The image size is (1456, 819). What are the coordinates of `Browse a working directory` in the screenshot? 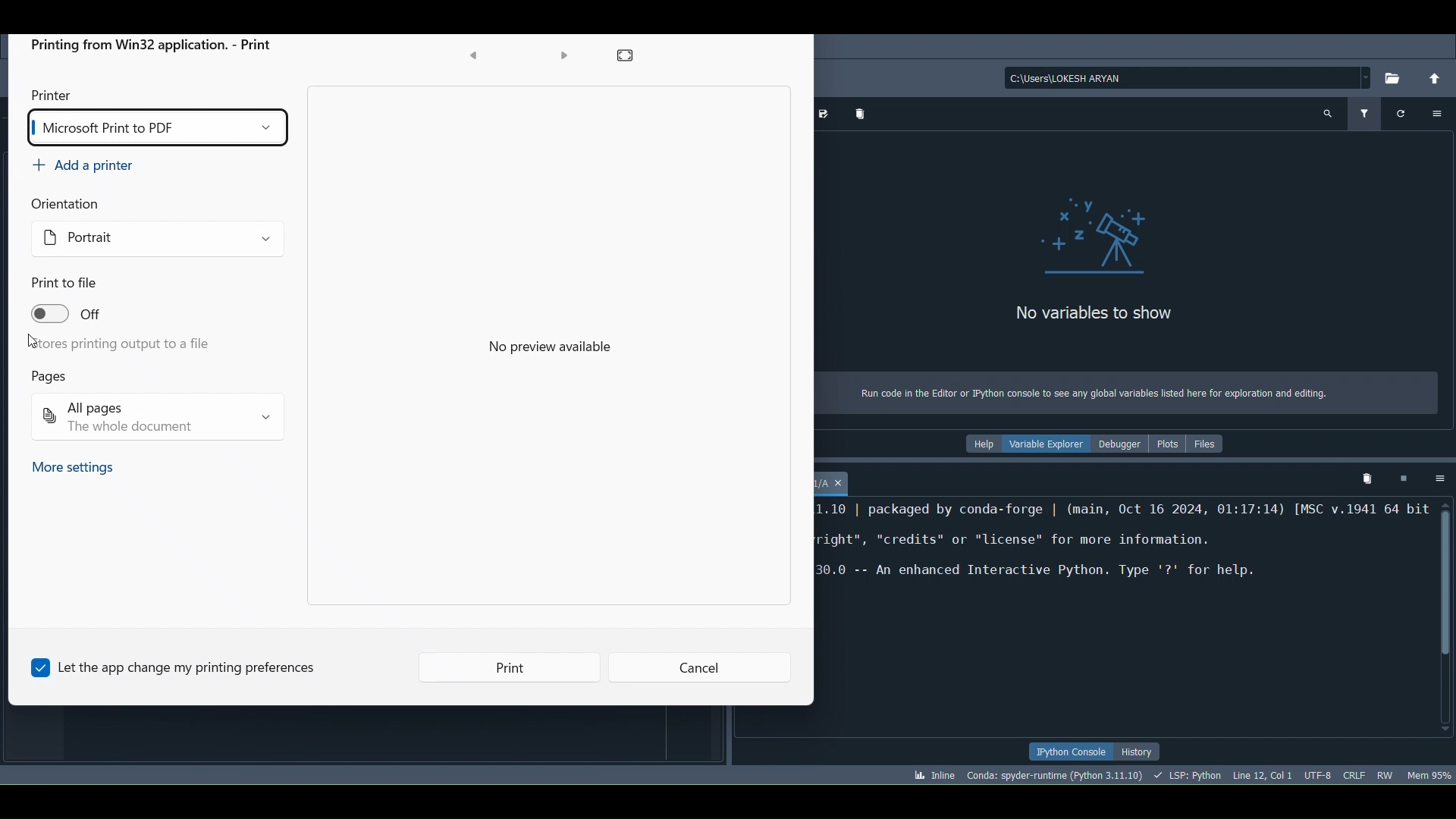 It's located at (1394, 78).